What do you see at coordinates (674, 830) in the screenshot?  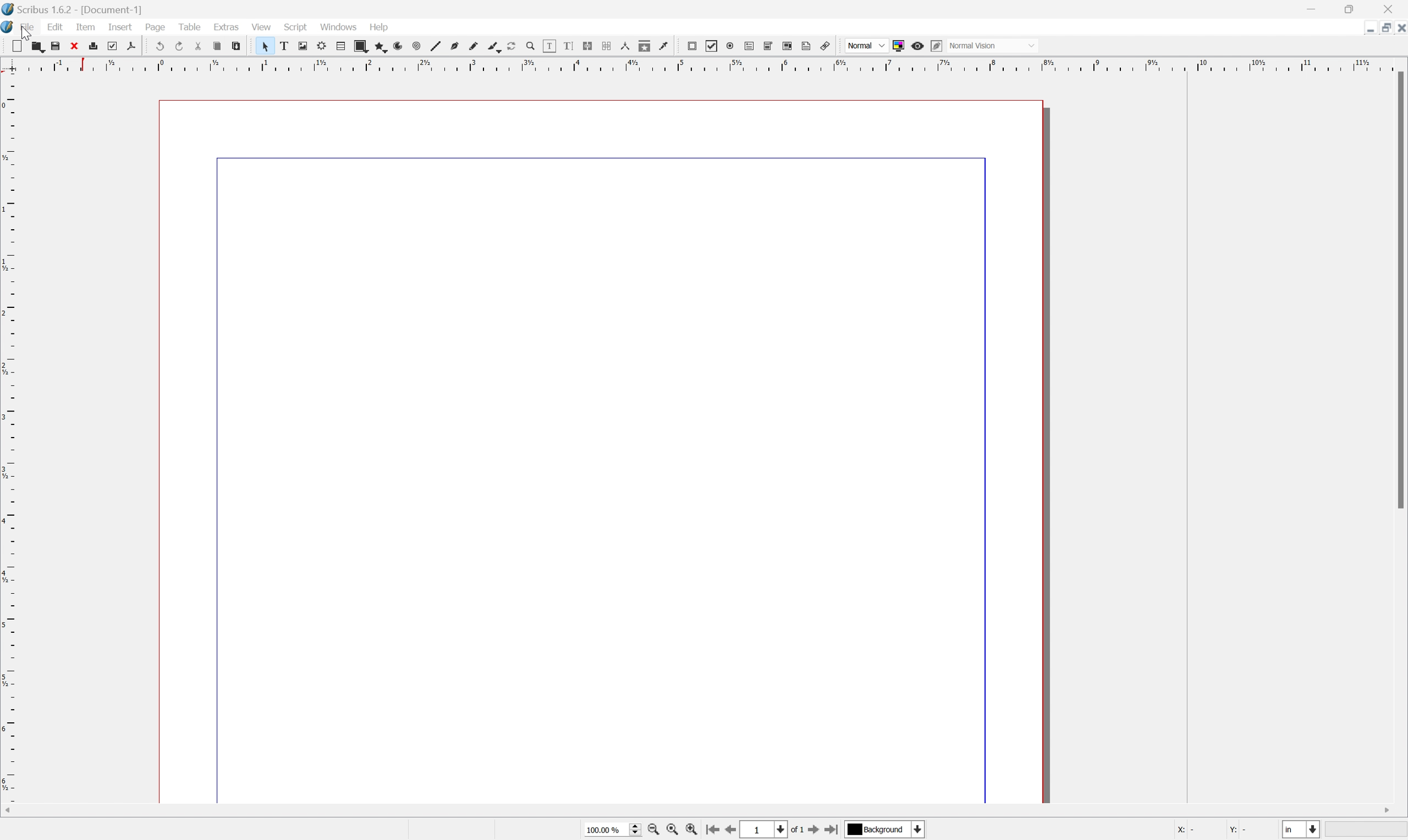 I see `zoom to 100%` at bounding box center [674, 830].